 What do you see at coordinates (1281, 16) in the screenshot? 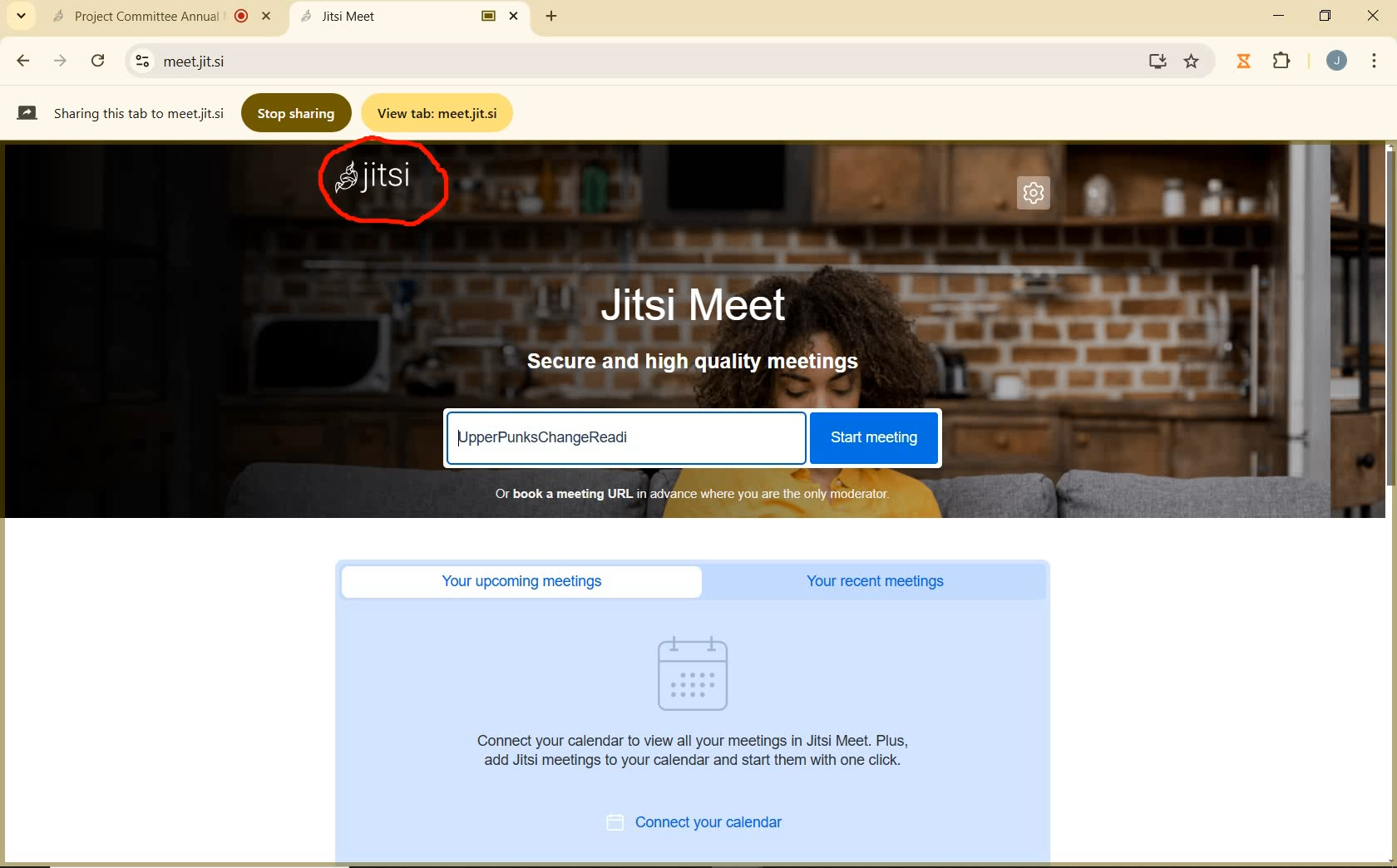
I see `MINIMIZE` at bounding box center [1281, 16].